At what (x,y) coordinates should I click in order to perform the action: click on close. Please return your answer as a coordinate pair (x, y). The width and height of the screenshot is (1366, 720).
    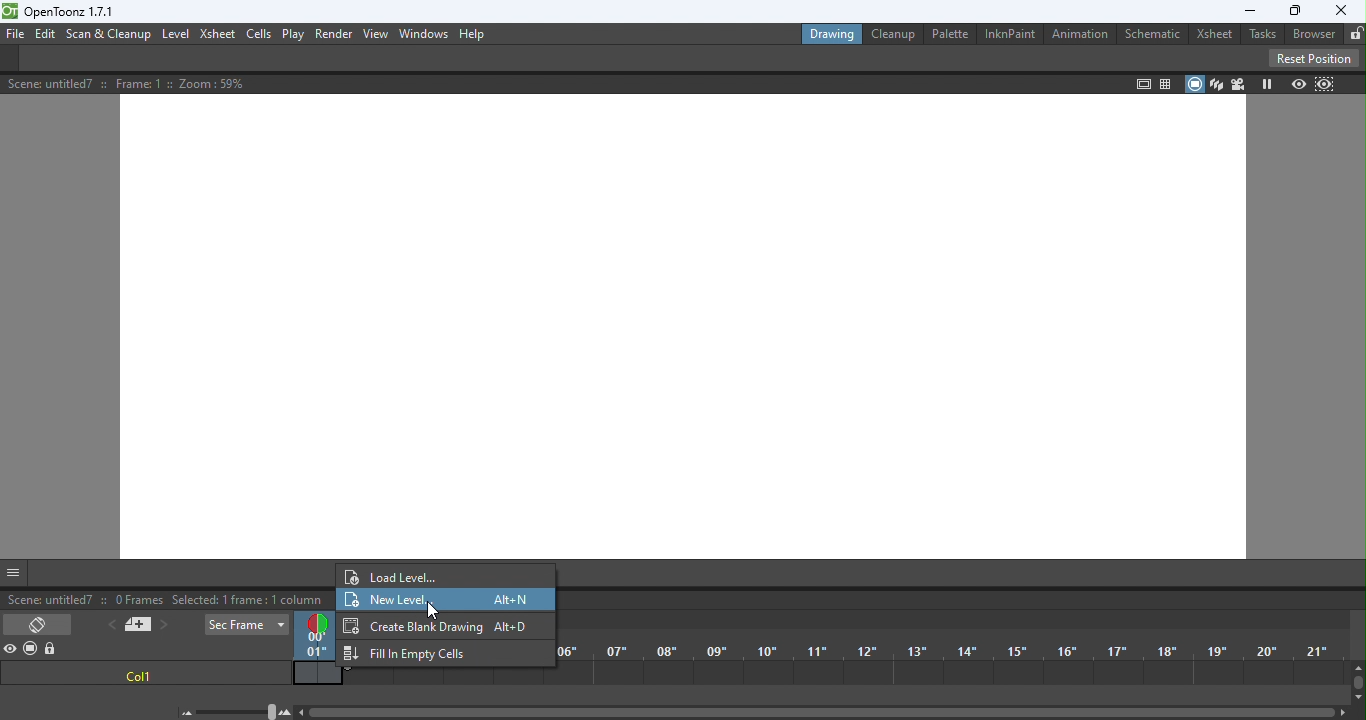
    Looking at the image, I should click on (1345, 10).